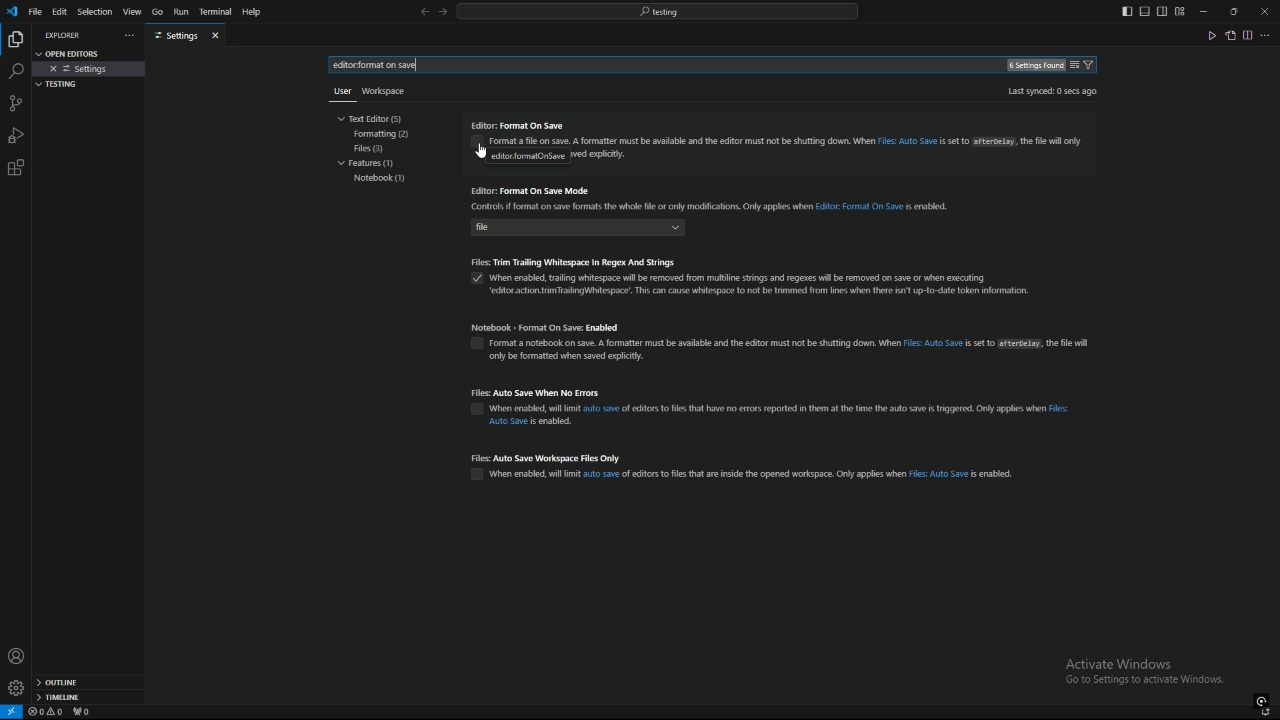  Describe the element at coordinates (66, 35) in the screenshot. I see `explorer` at that location.